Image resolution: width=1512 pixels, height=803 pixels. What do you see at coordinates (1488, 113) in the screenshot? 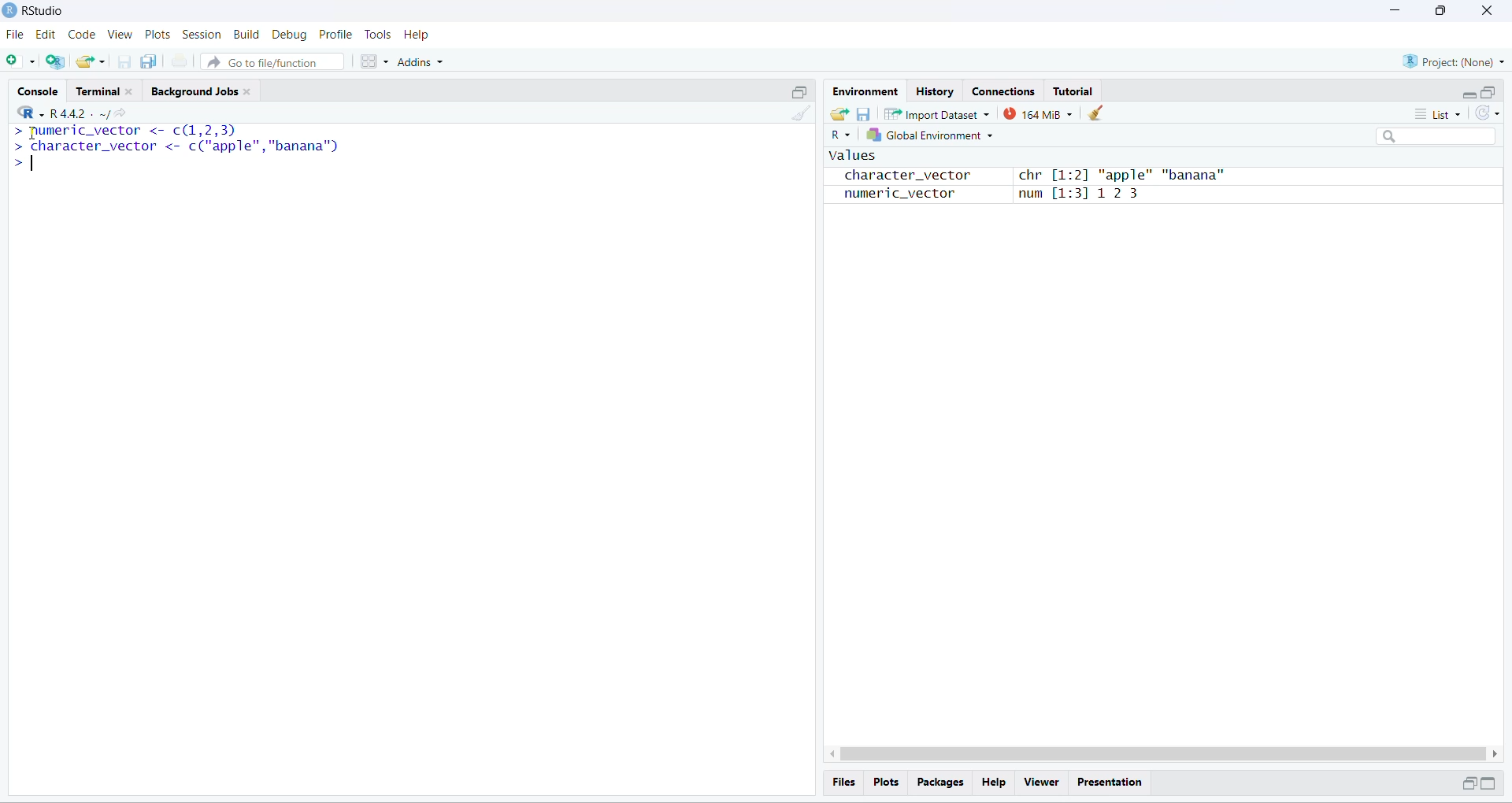
I see `refresh` at bounding box center [1488, 113].